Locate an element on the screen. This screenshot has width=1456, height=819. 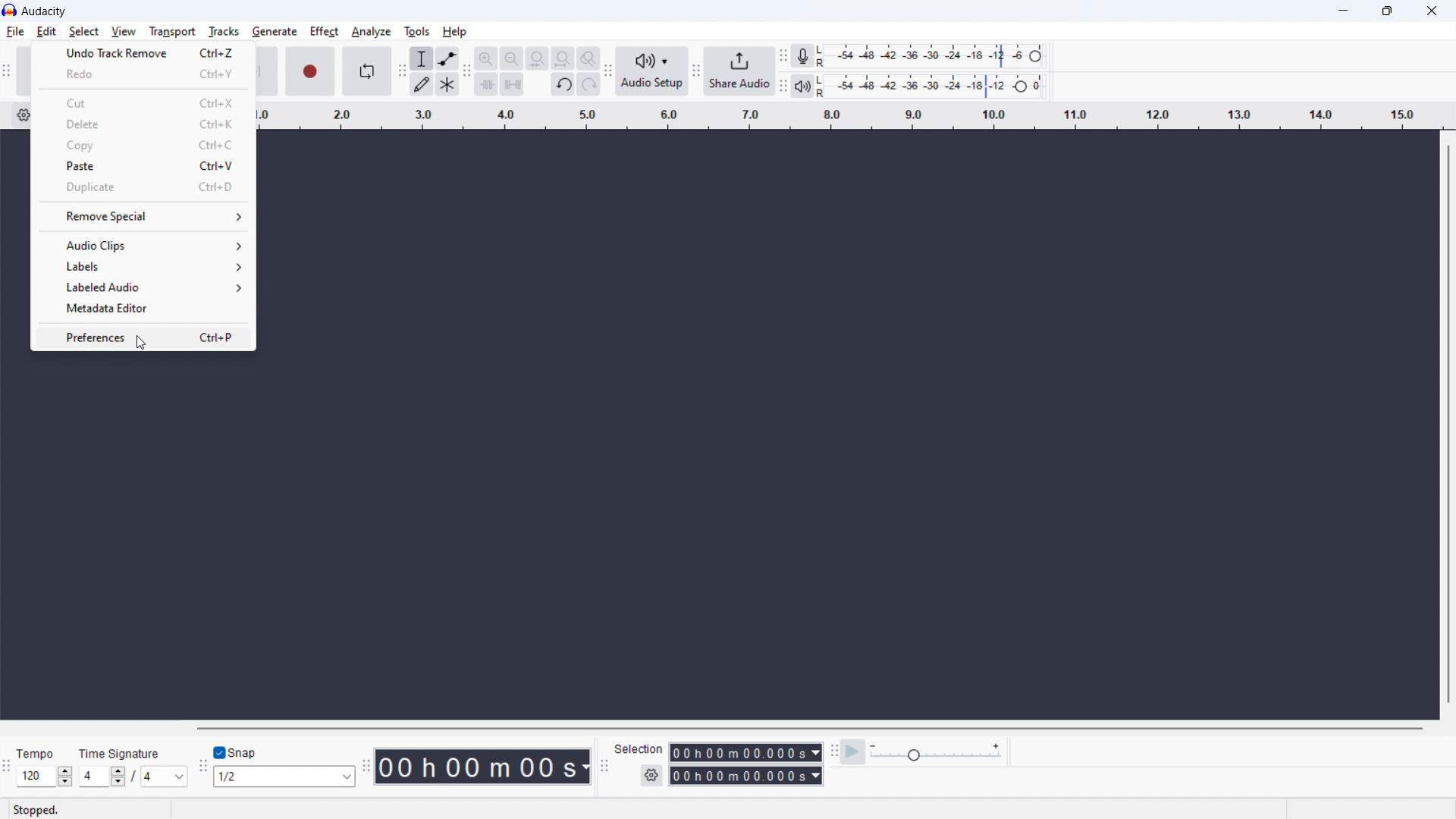
Duration measurement is located at coordinates (816, 752).